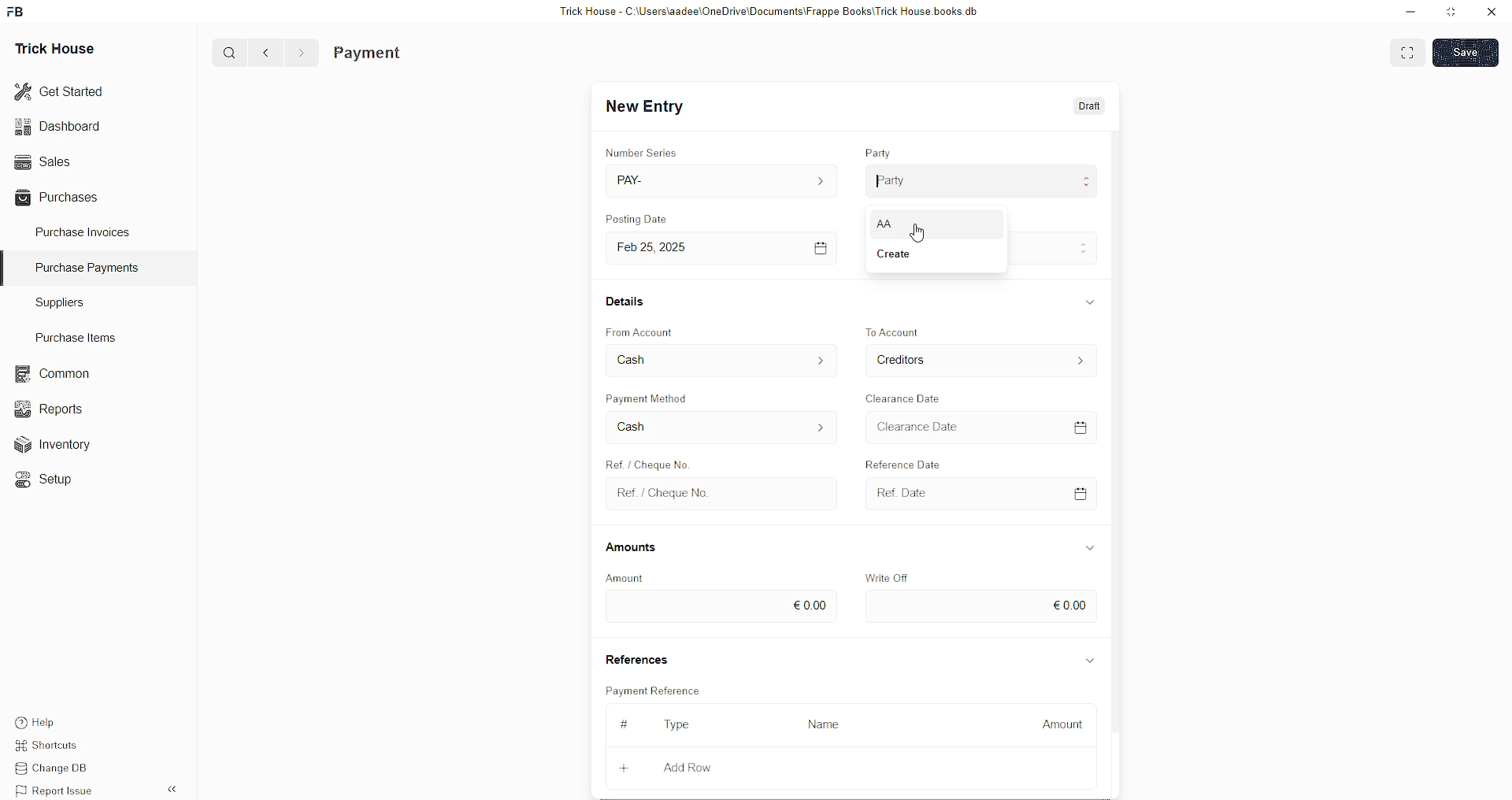 The image size is (1512, 800). What do you see at coordinates (83, 268) in the screenshot?
I see `Purchase PaymenTS` at bounding box center [83, 268].